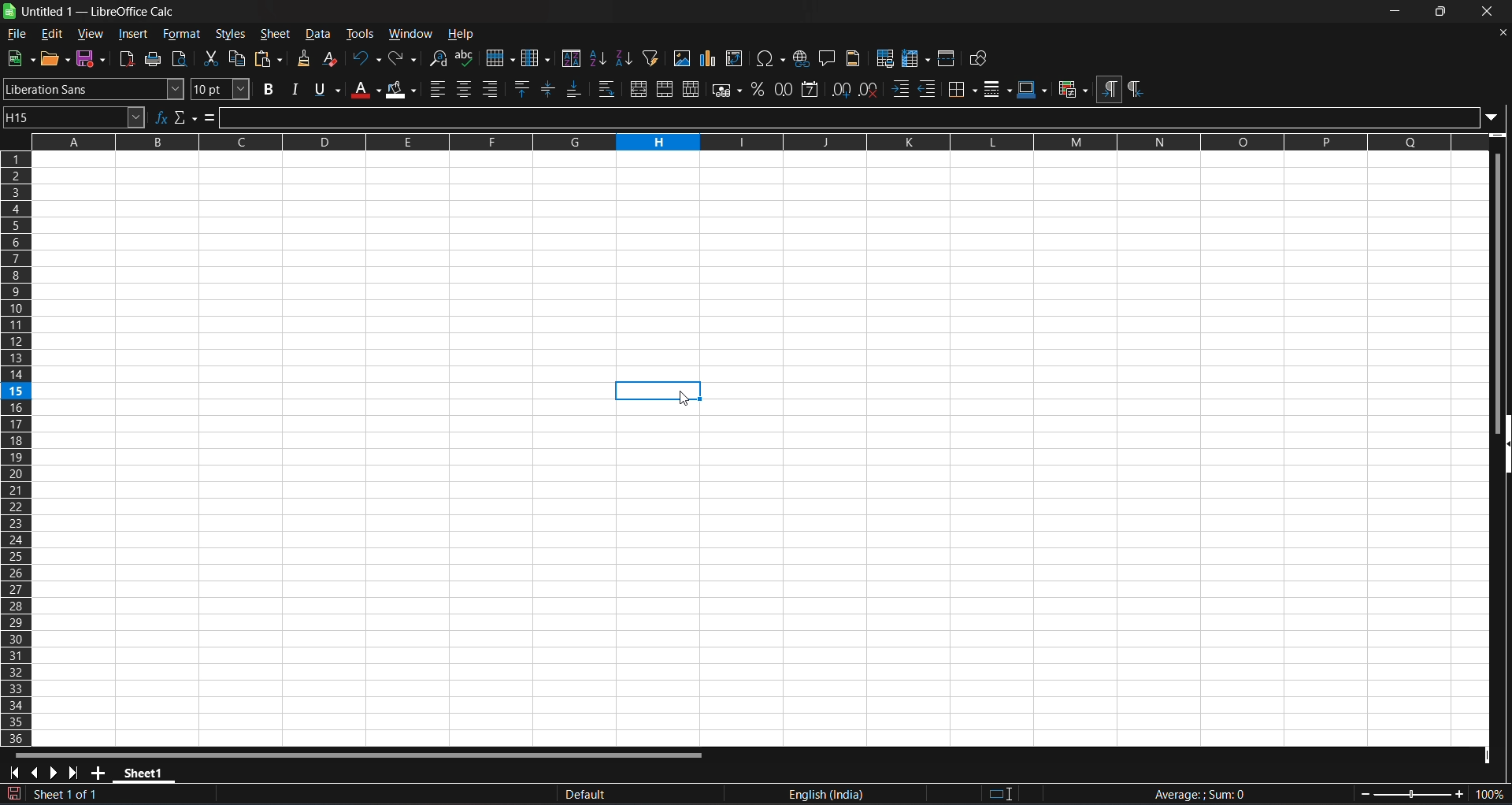 The height and width of the screenshot is (805, 1512). I want to click on default, so click(580, 791).